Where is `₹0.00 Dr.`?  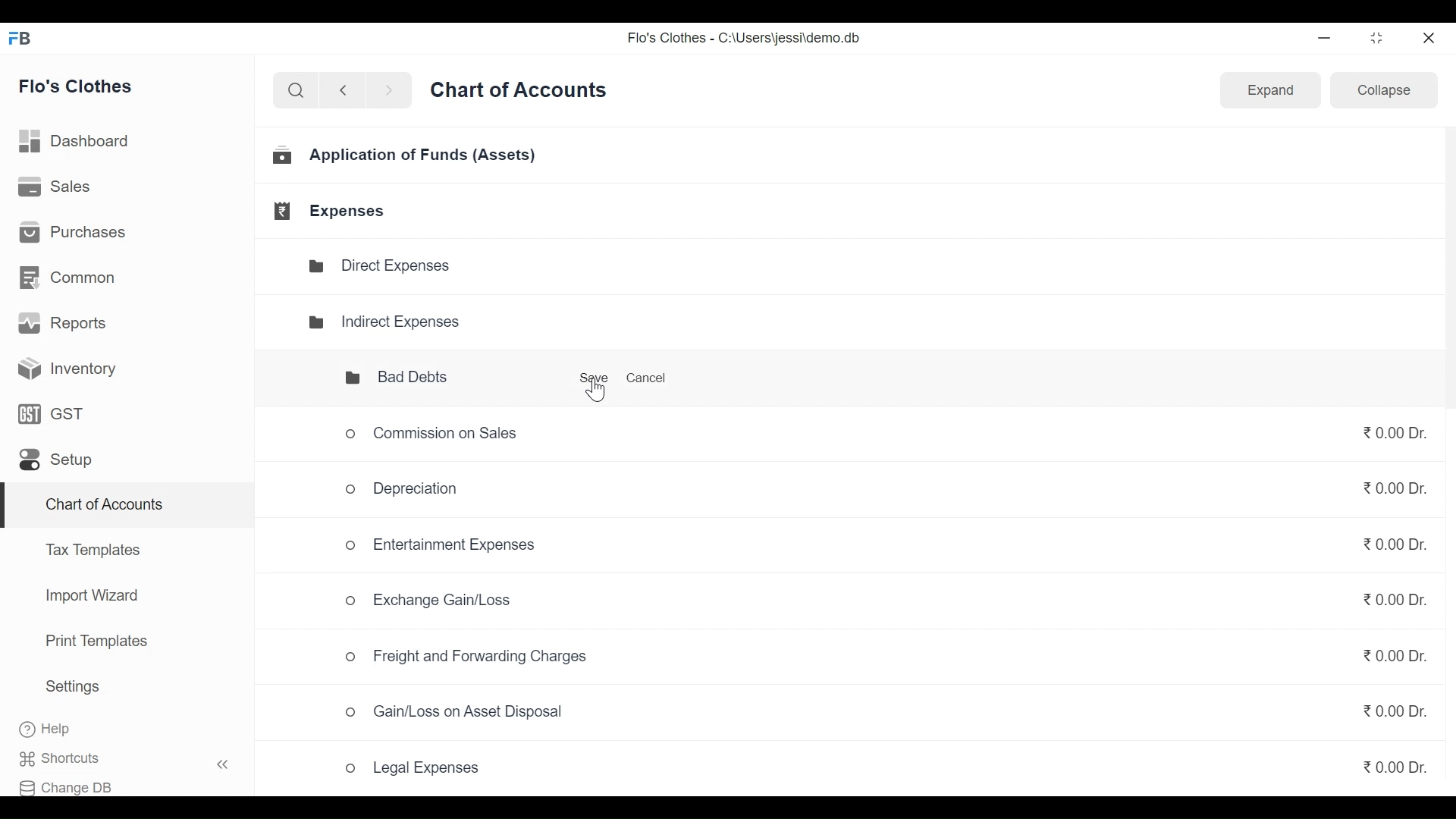
₹0.00 Dr. is located at coordinates (1389, 767).